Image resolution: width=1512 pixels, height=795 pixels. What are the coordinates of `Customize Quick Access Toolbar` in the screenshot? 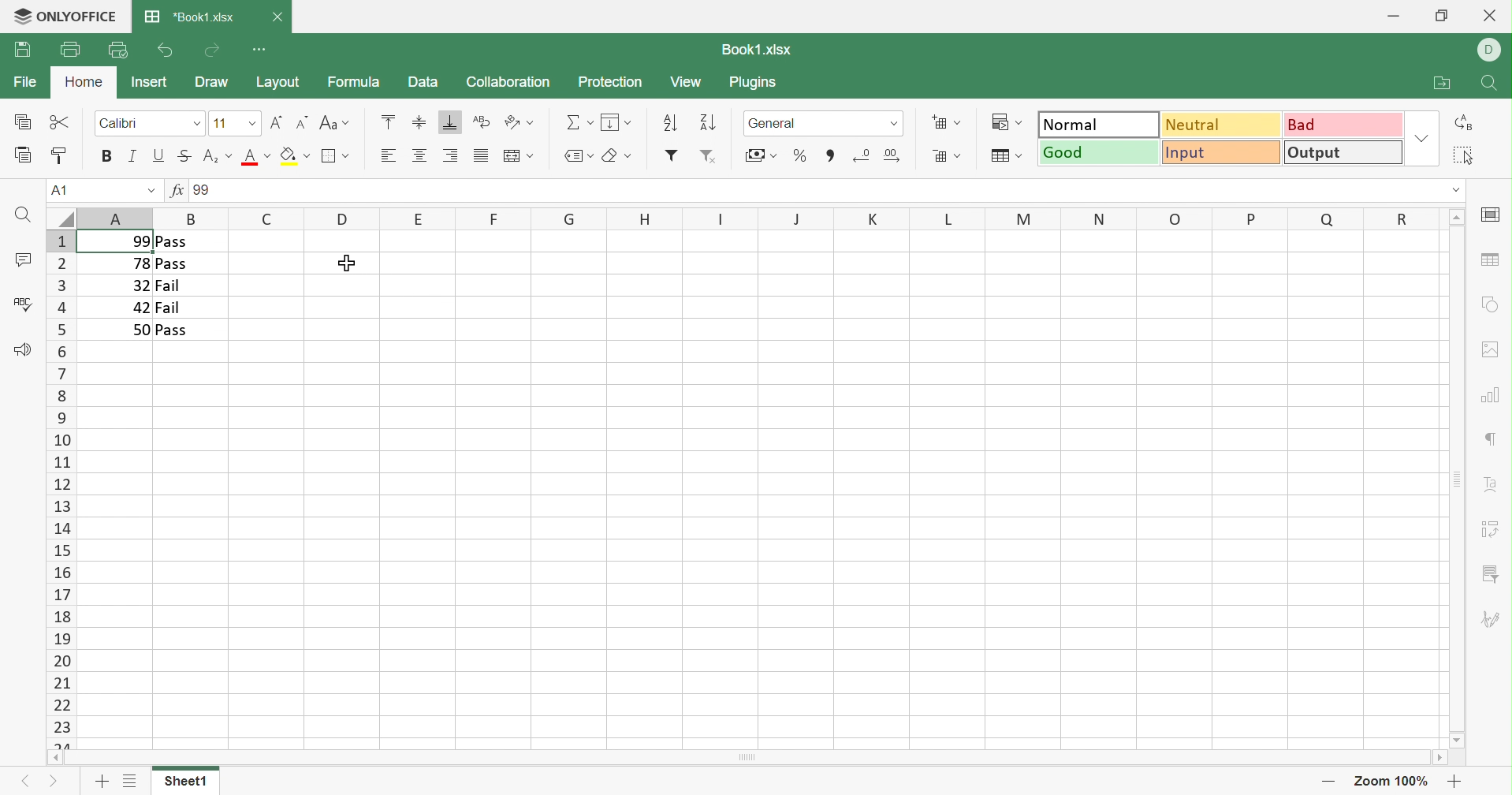 It's located at (262, 50).